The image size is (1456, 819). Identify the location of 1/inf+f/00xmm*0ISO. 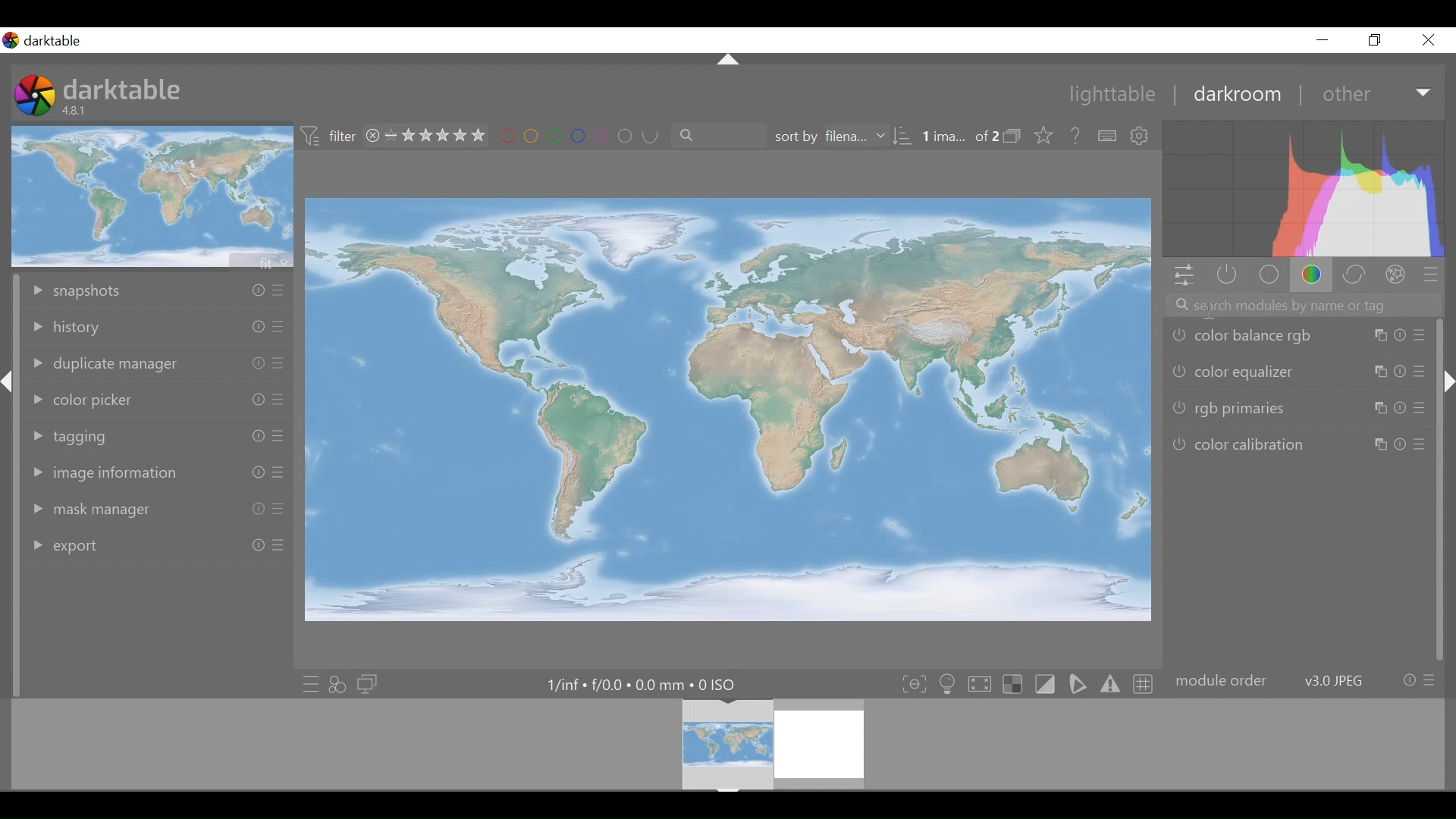
(639, 685).